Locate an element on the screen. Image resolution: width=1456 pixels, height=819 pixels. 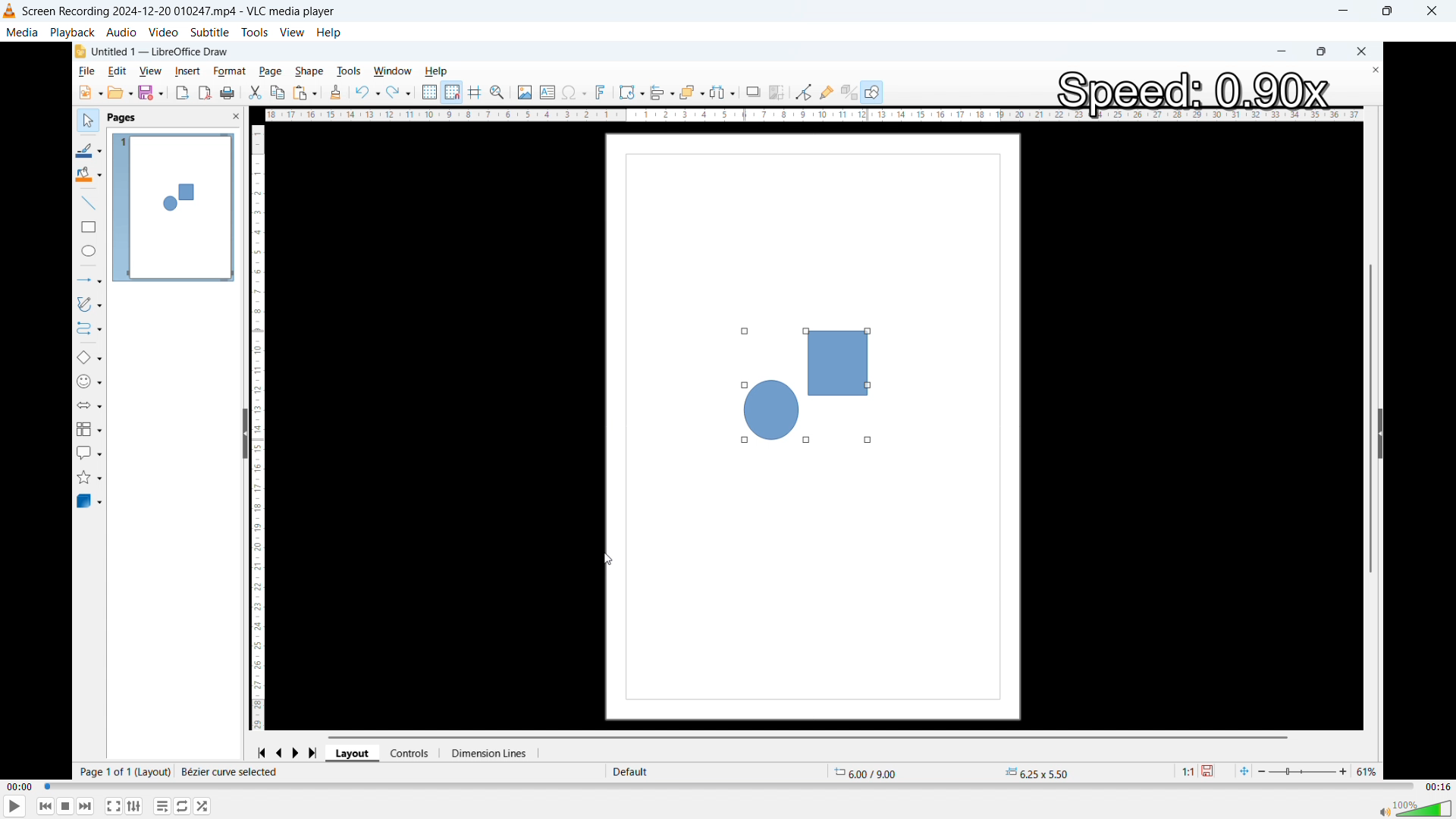
forward or next media  is located at coordinates (86, 806).